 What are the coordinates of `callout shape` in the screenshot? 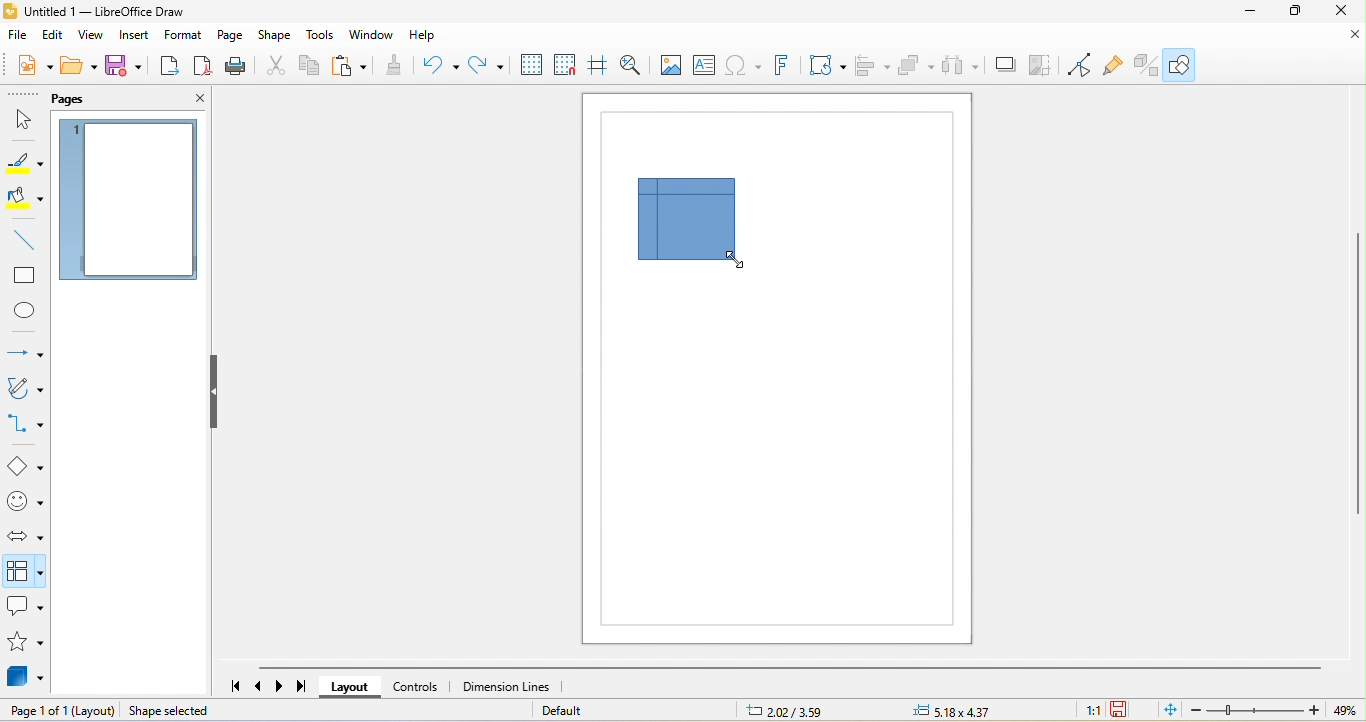 It's located at (26, 607).